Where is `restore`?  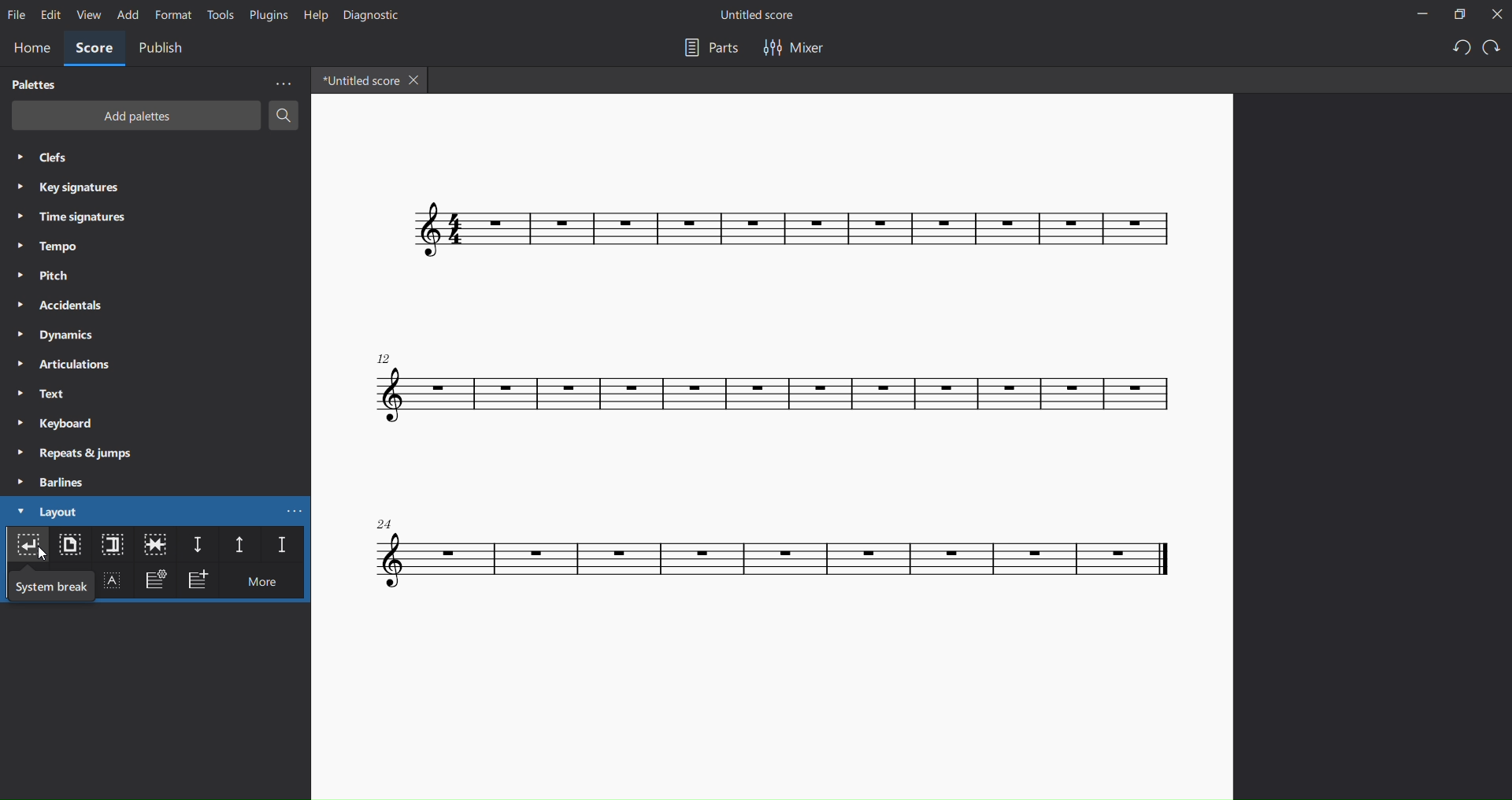
restore is located at coordinates (1456, 14).